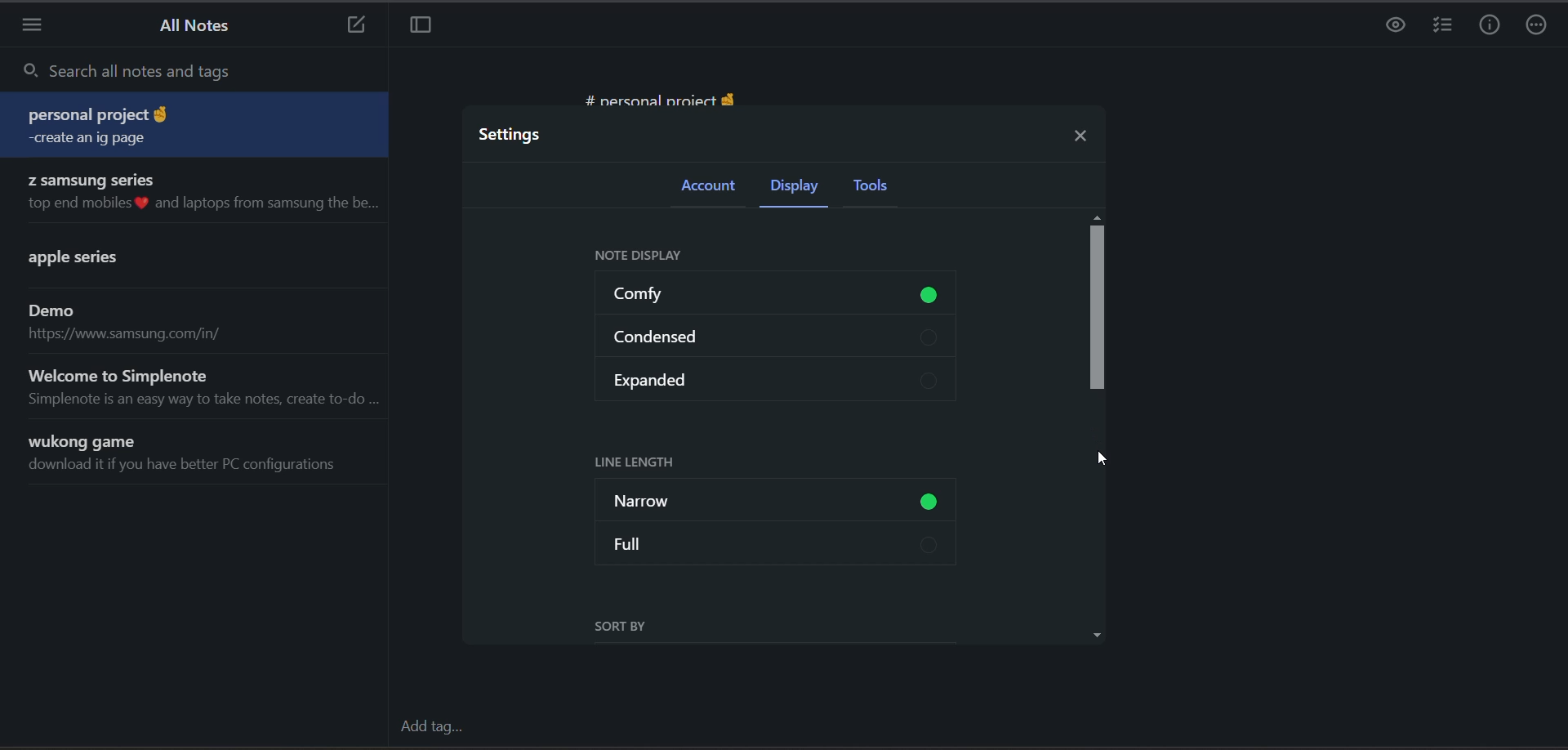 The width and height of the screenshot is (1568, 750). What do you see at coordinates (782, 546) in the screenshot?
I see `full` at bounding box center [782, 546].